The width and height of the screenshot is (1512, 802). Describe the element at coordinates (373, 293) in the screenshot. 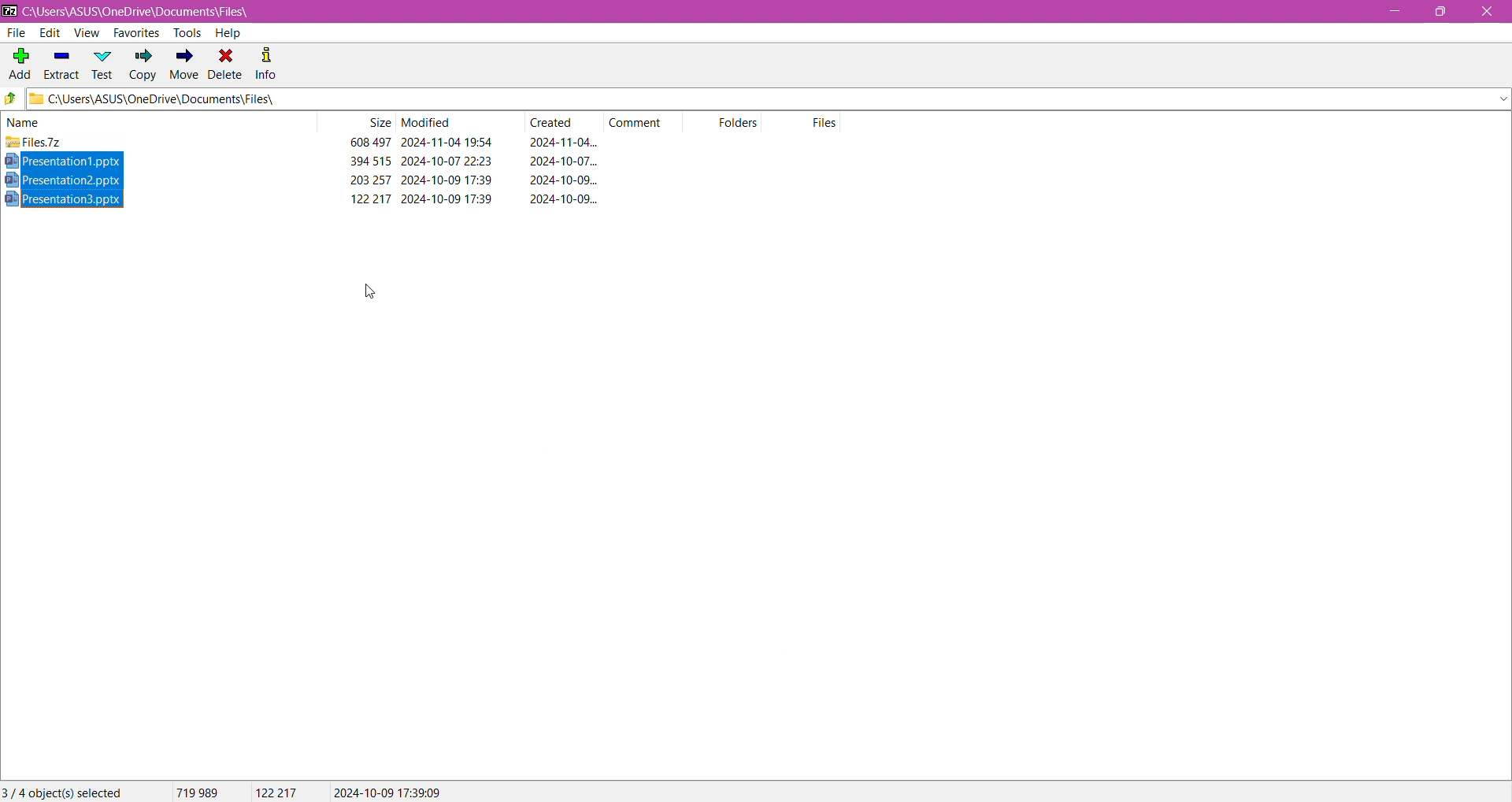

I see `cursor` at that location.